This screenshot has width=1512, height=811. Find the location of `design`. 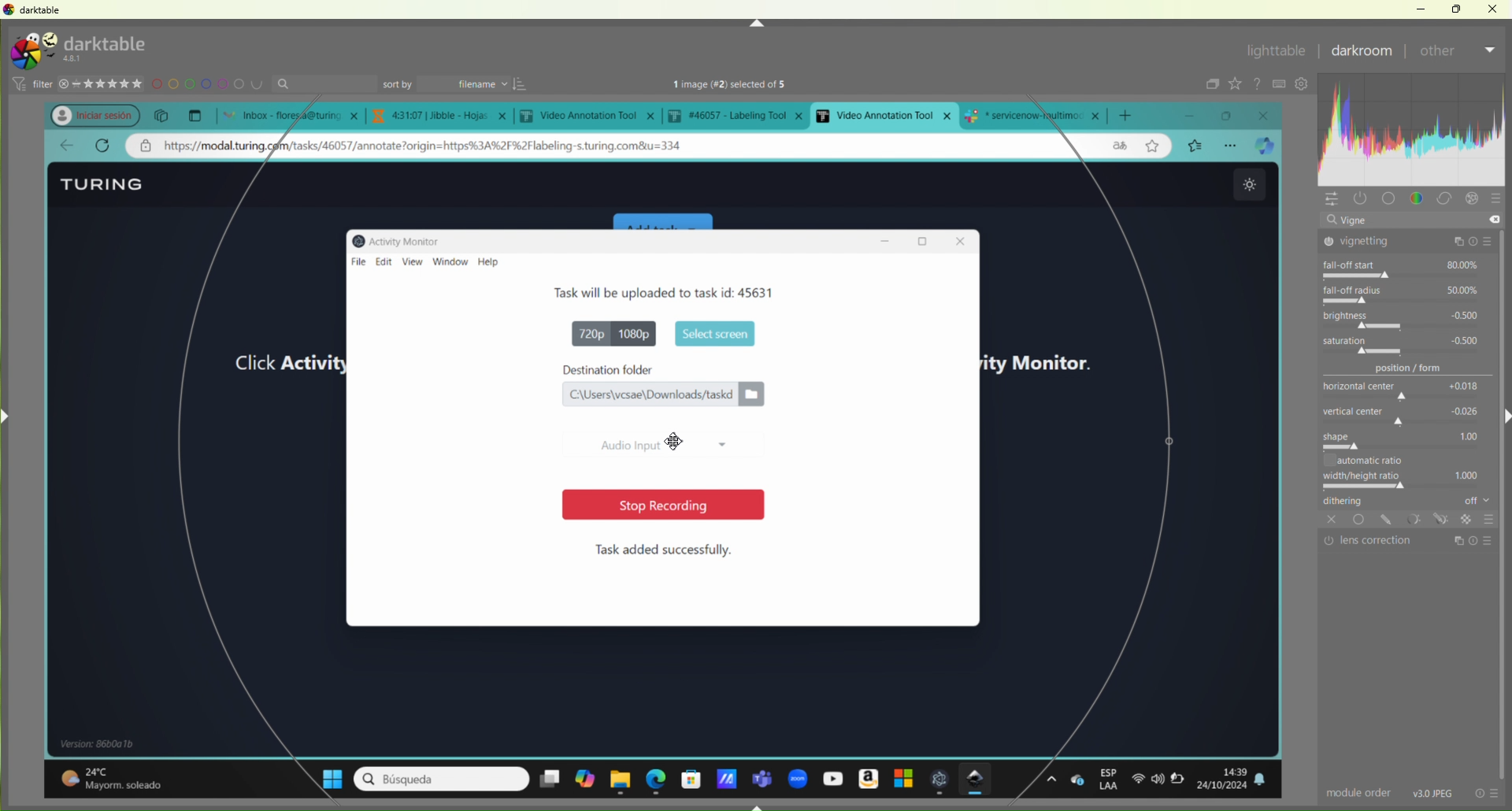

design is located at coordinates (209, 85).